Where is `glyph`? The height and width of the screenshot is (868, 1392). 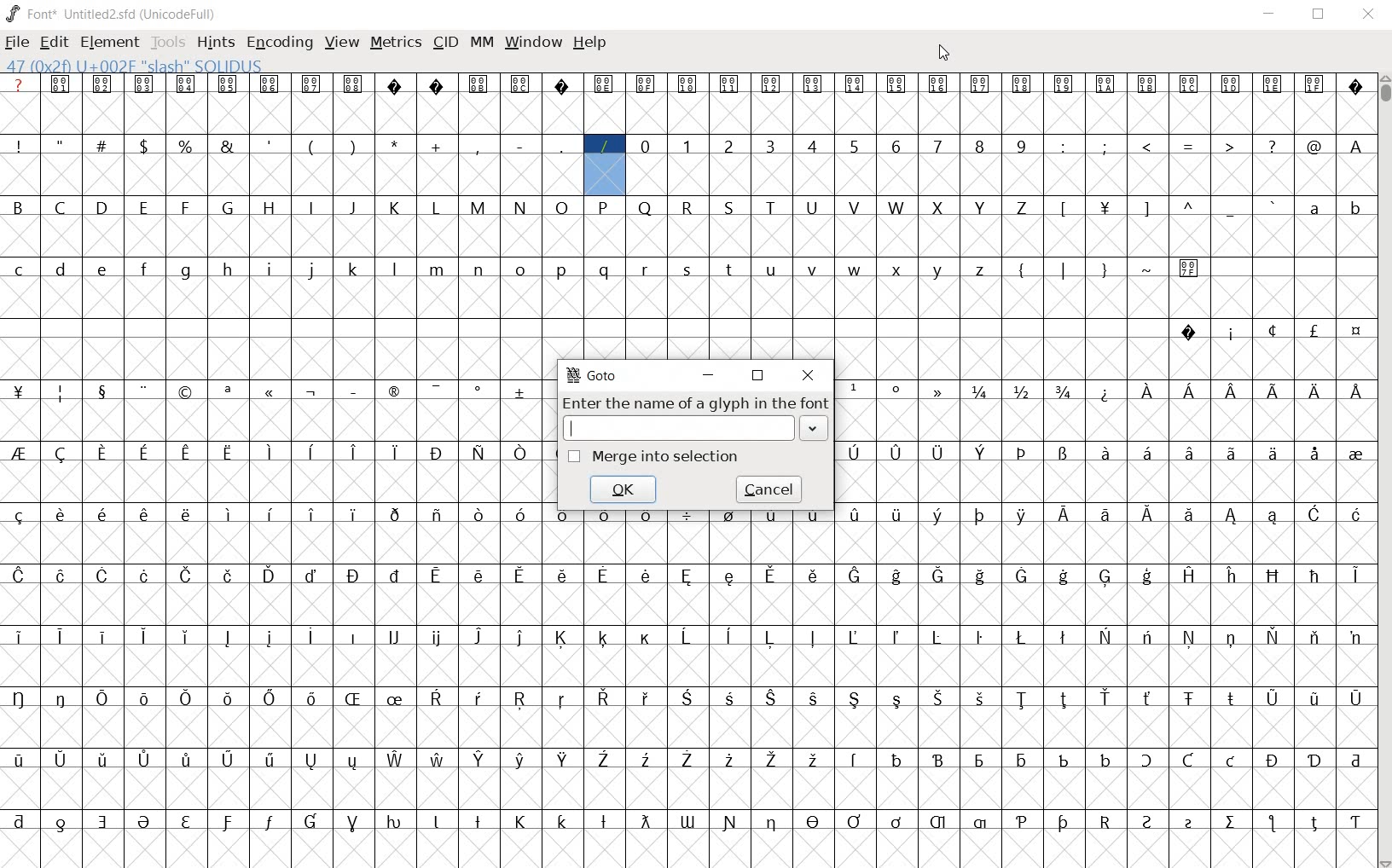
glyph is located at coordinates (353, 824).